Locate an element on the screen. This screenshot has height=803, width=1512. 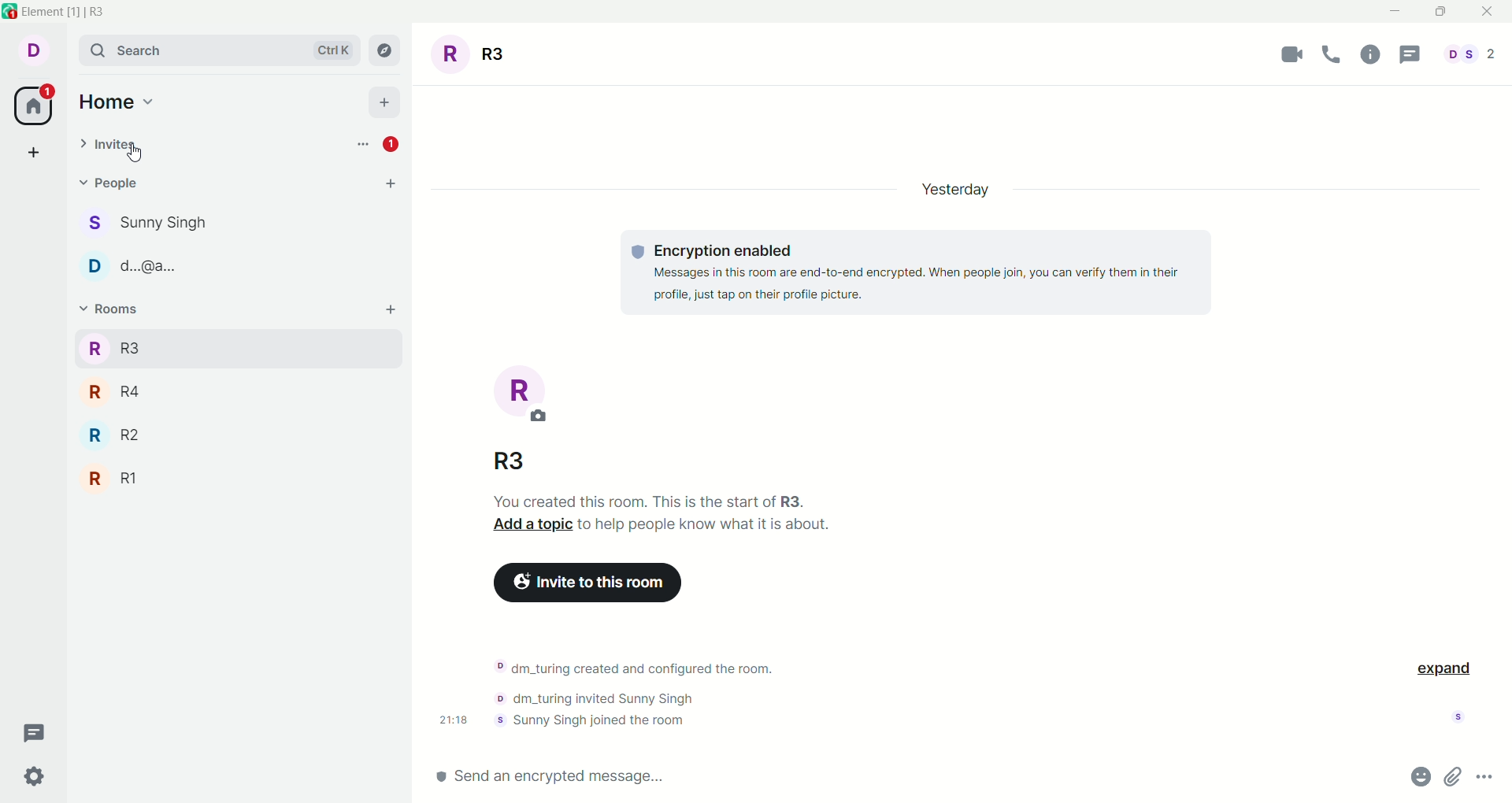
sunny singh is located at coordinates (243, 225).